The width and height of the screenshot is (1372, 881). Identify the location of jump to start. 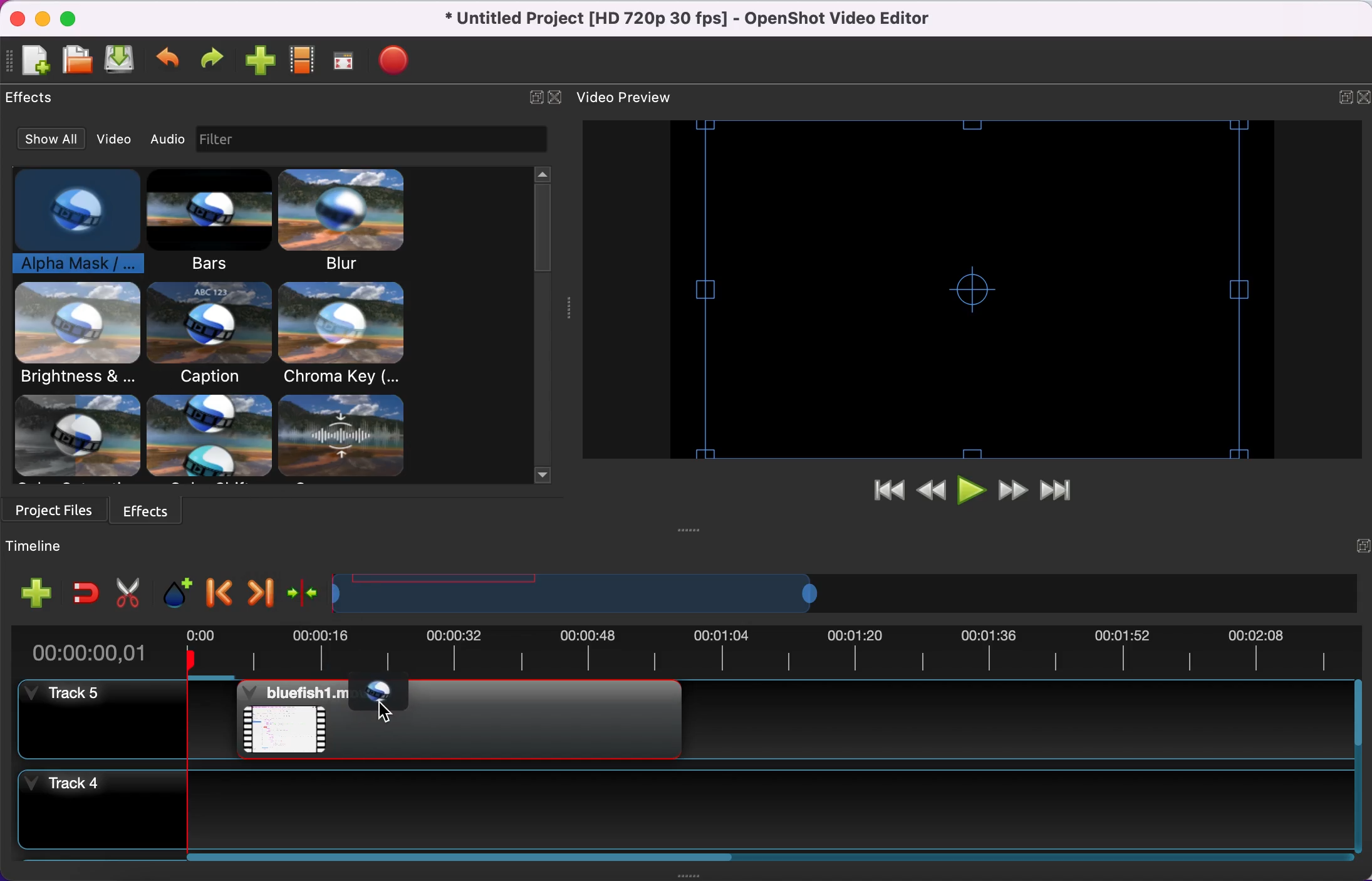
(881, 493).